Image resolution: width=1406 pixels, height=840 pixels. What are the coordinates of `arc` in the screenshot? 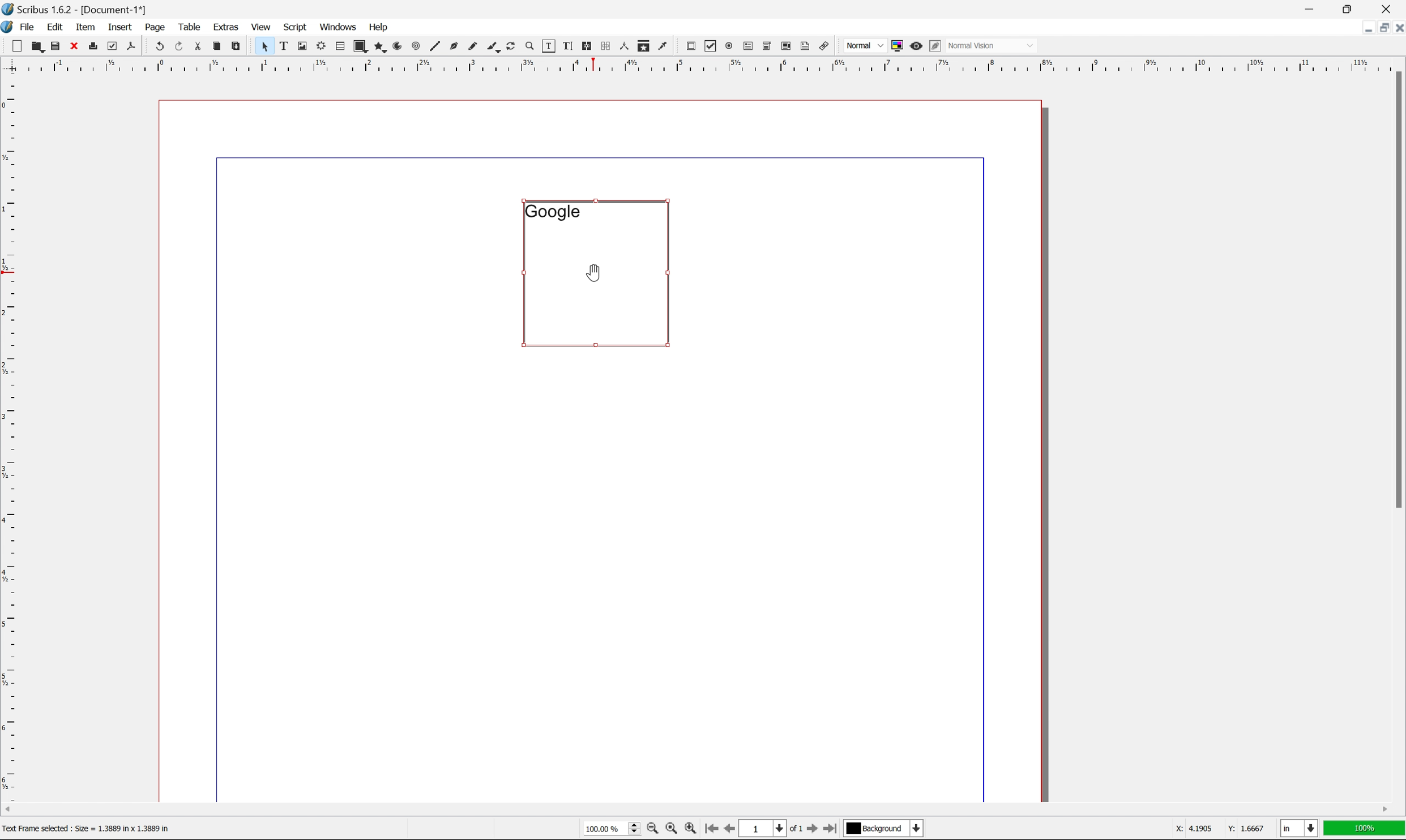 It's located at (399, 46).